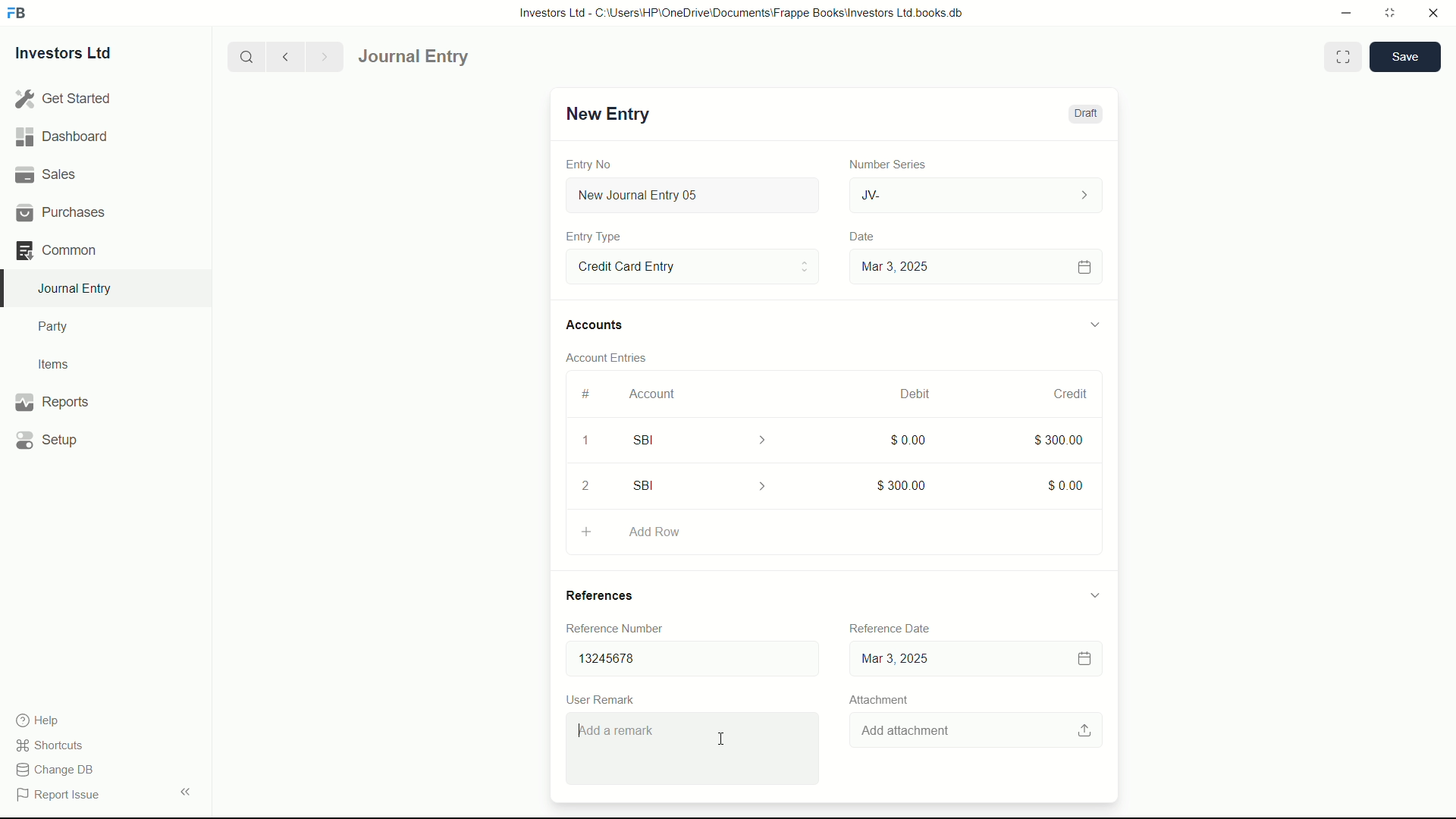 Image resolution: width=1456 pixels, height=819 pixels. I want to click on previous, so click(284, 56).